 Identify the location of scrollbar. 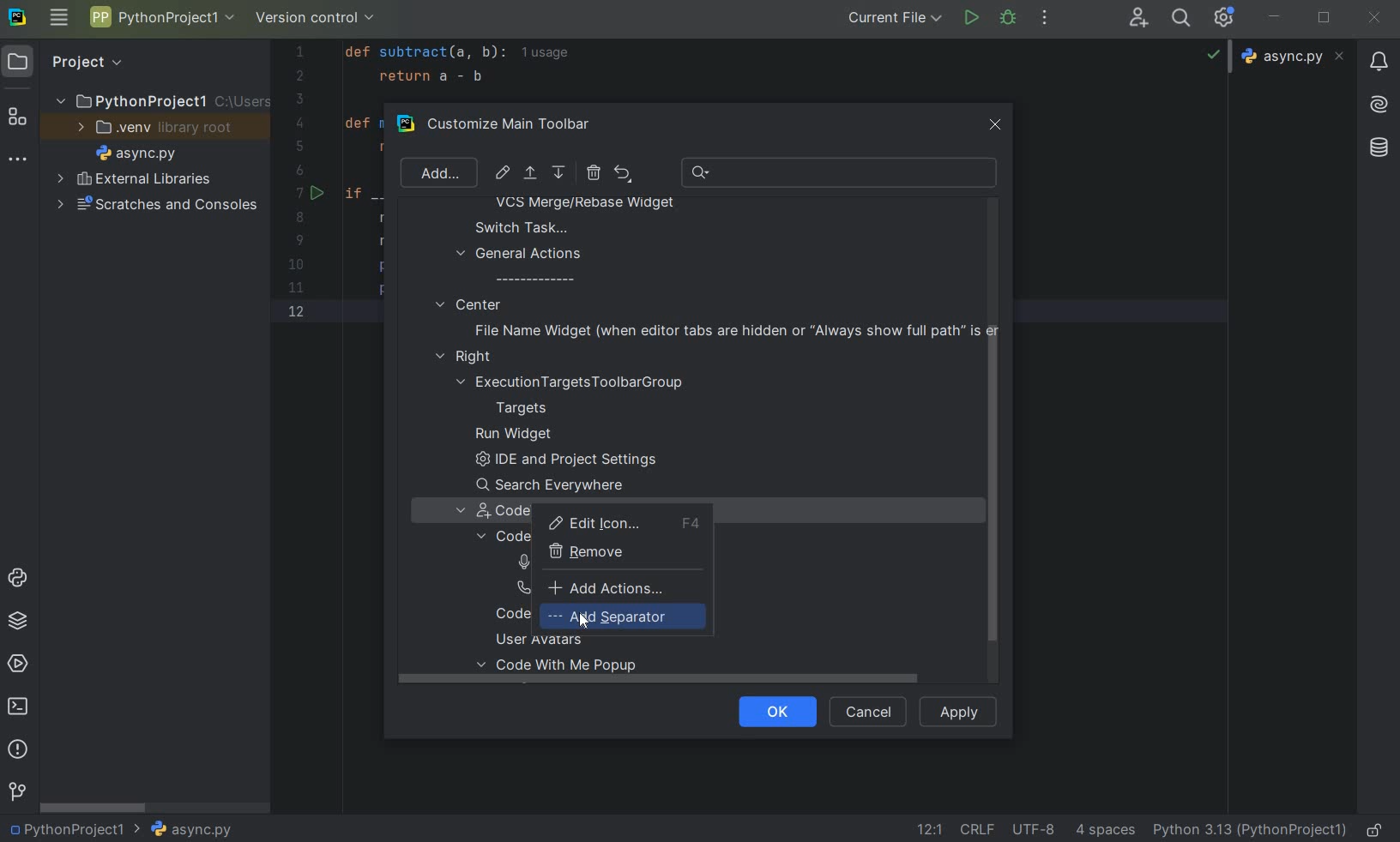
(990, 498).